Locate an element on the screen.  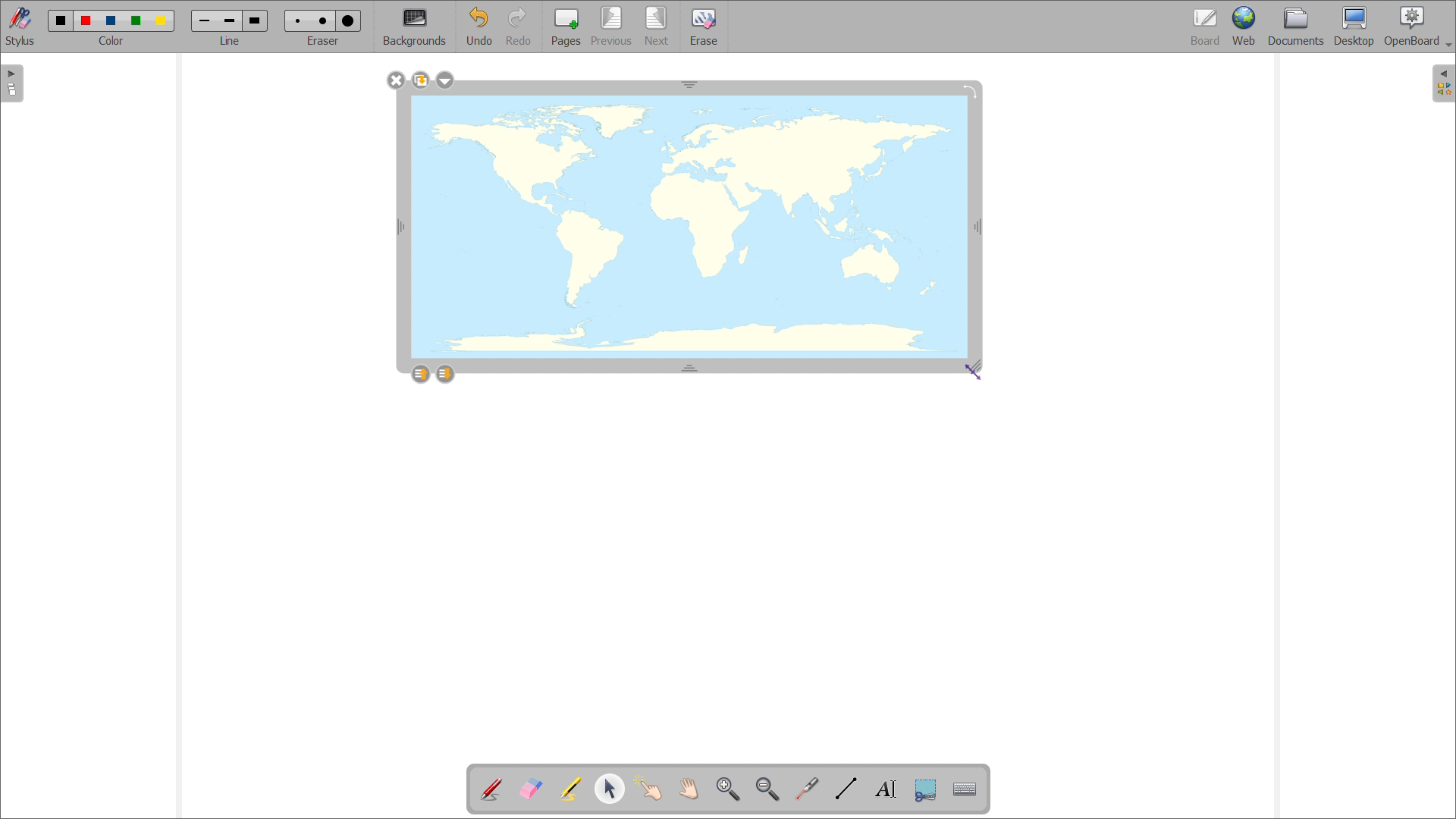
zoom out is located at coordinates (767, 789).